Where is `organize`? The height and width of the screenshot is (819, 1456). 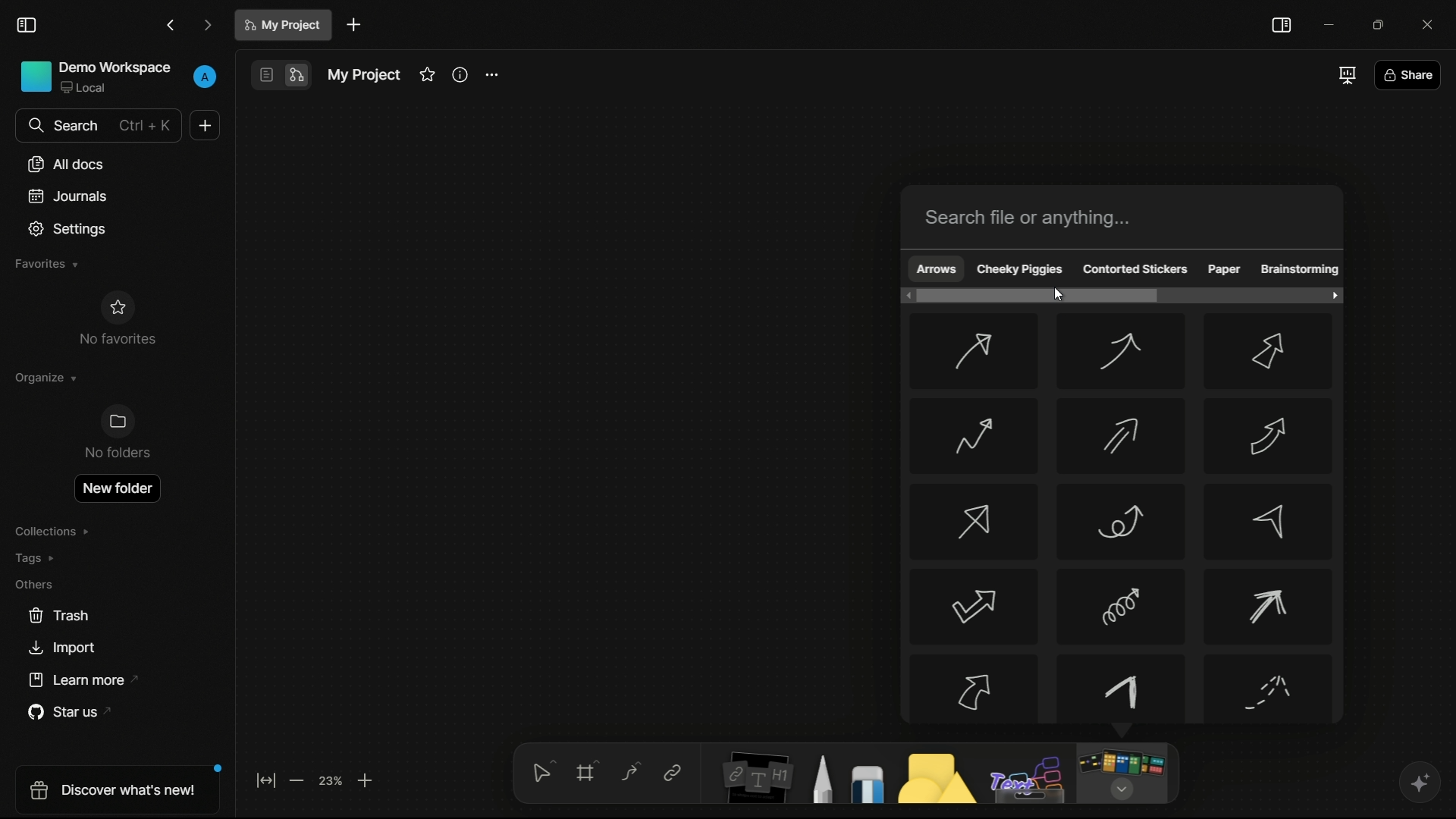 organize is located at coordinates (44, 378).